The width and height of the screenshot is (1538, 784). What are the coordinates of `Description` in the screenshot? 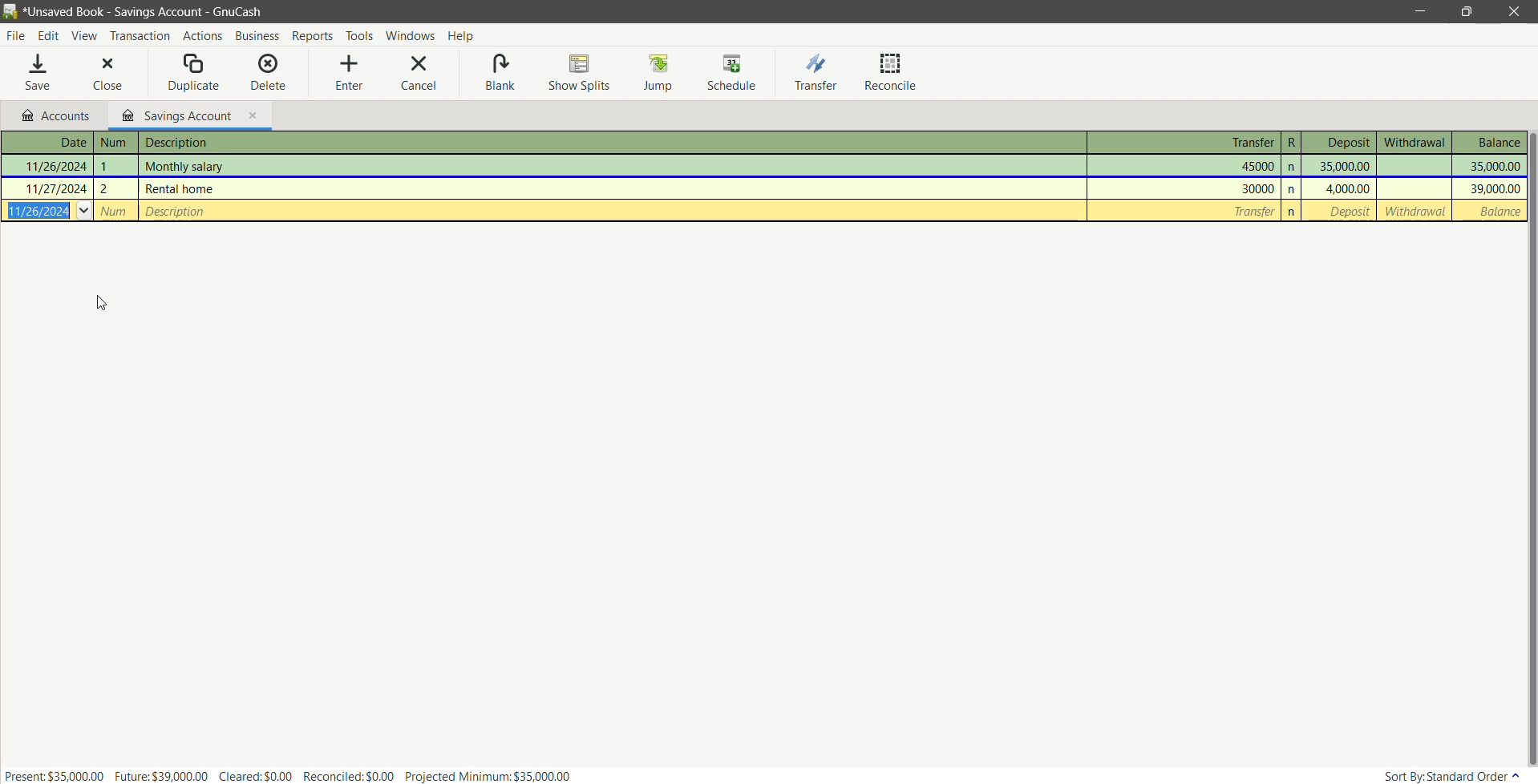 It's located at (608, 143).